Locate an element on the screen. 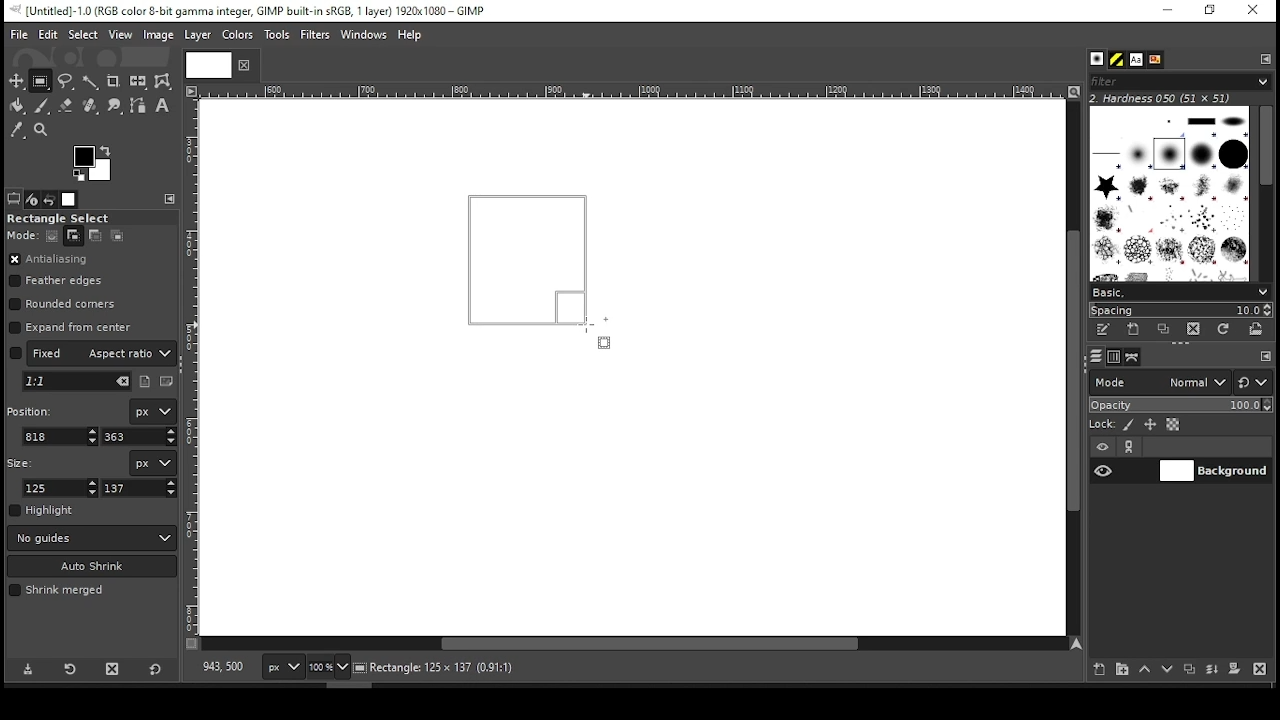 The width and height of the screenshot is (1280, 720). layer visibility on/off is located at coordinates (1104, 470).